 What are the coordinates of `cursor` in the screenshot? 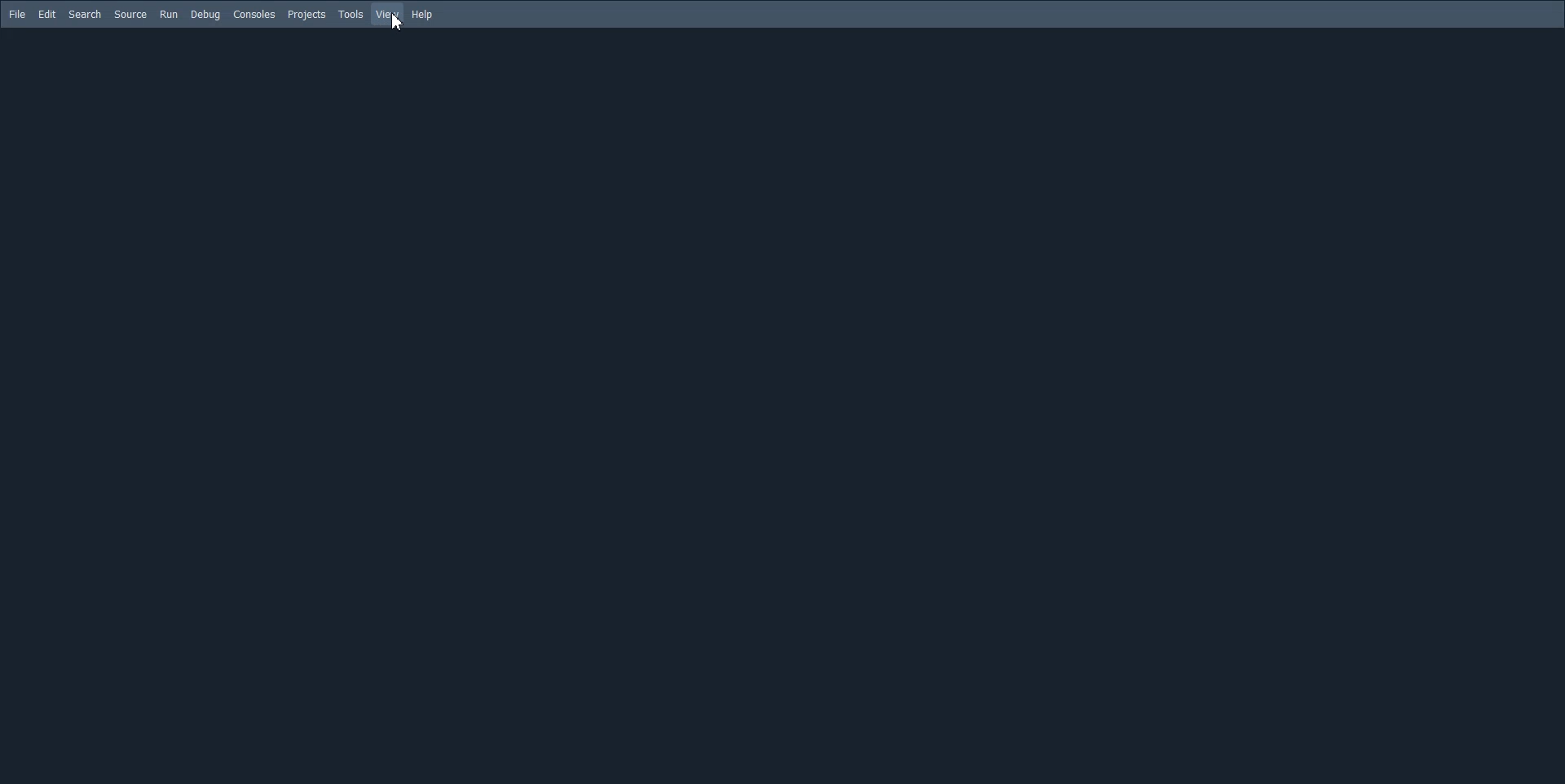 It's located at (390, 24).